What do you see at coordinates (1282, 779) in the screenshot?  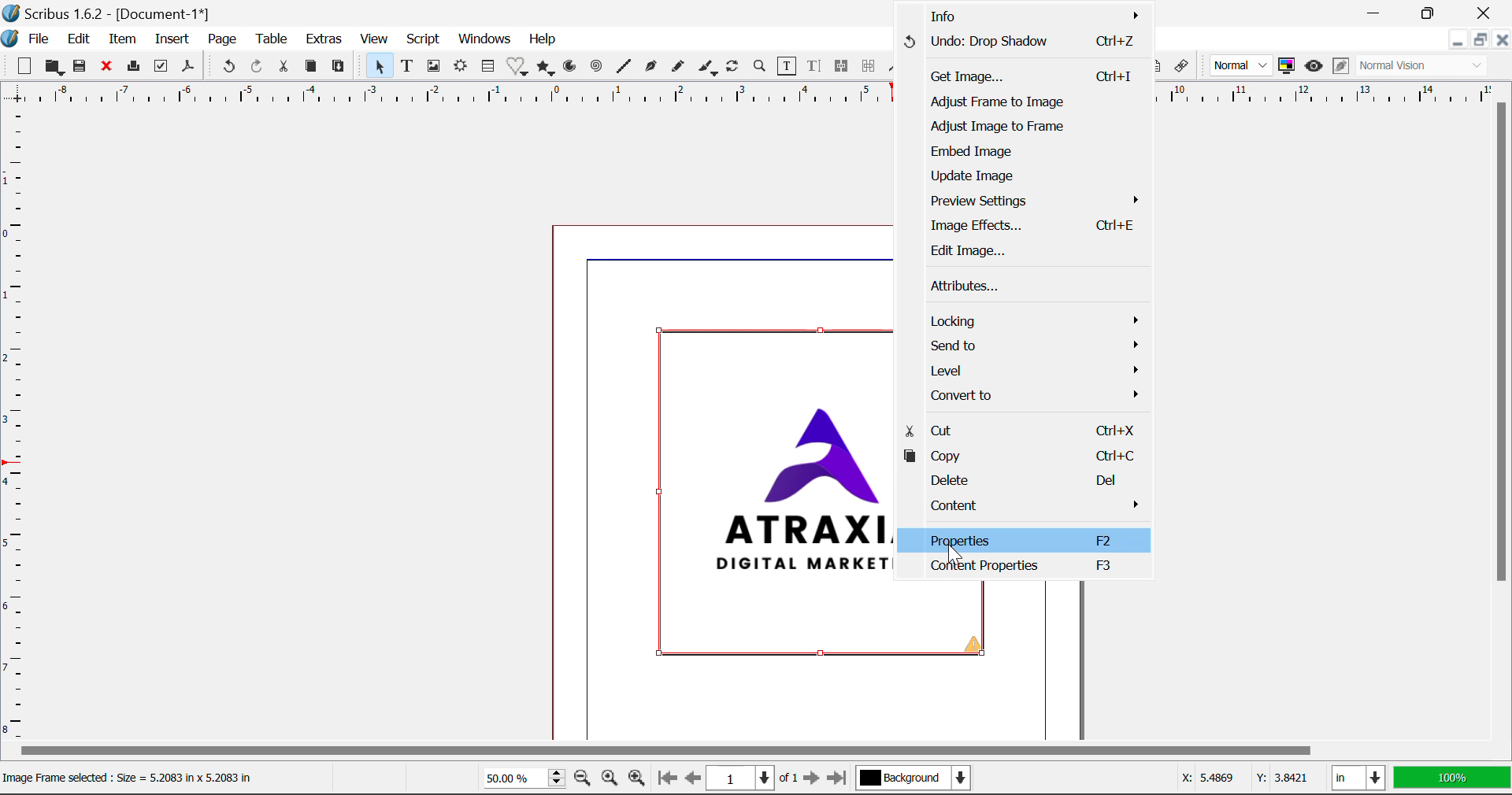 I see `Y: 3.8421` at bounding box center [1282, 779].